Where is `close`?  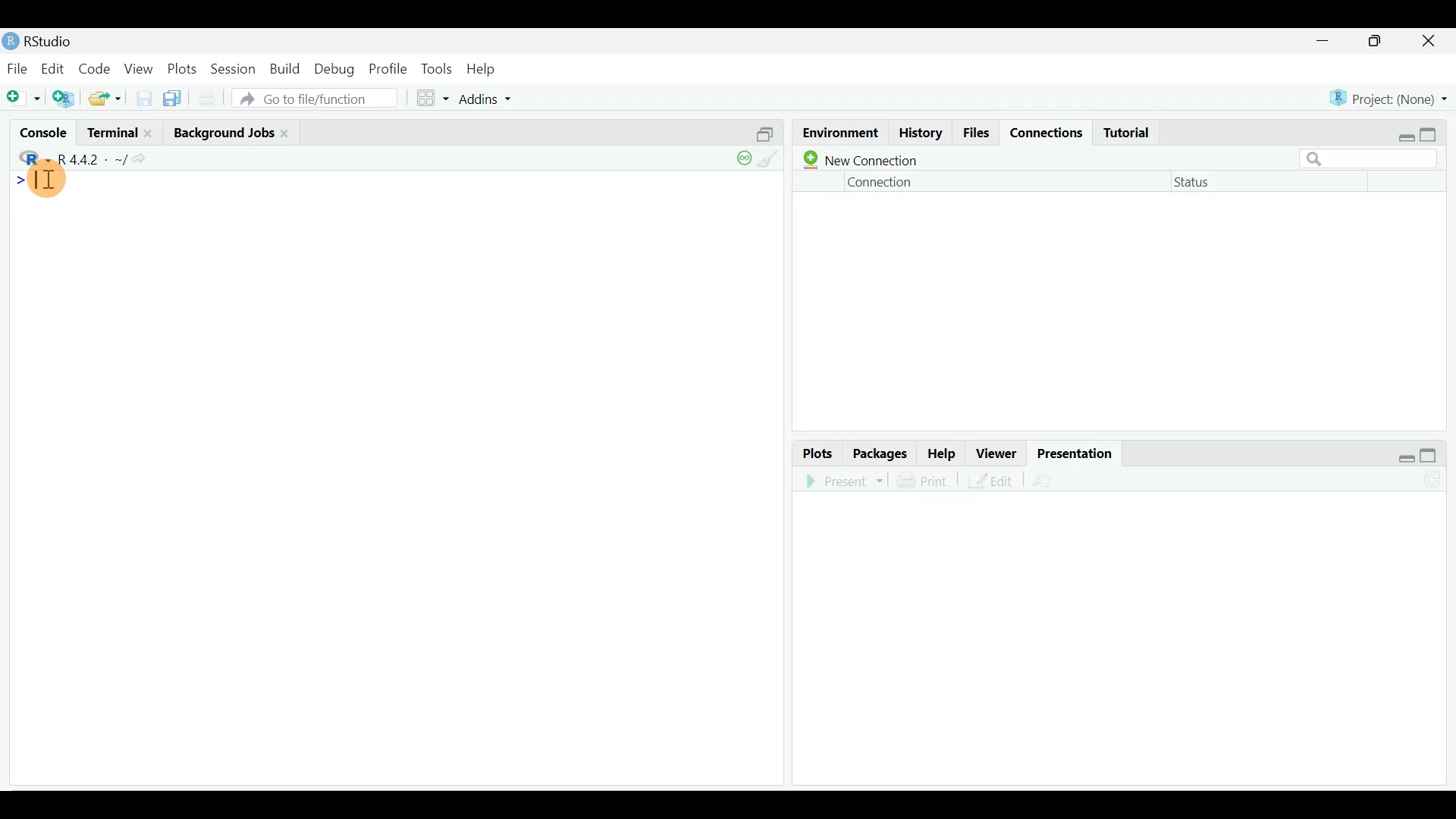
close is located at coordinates (1435, 40).